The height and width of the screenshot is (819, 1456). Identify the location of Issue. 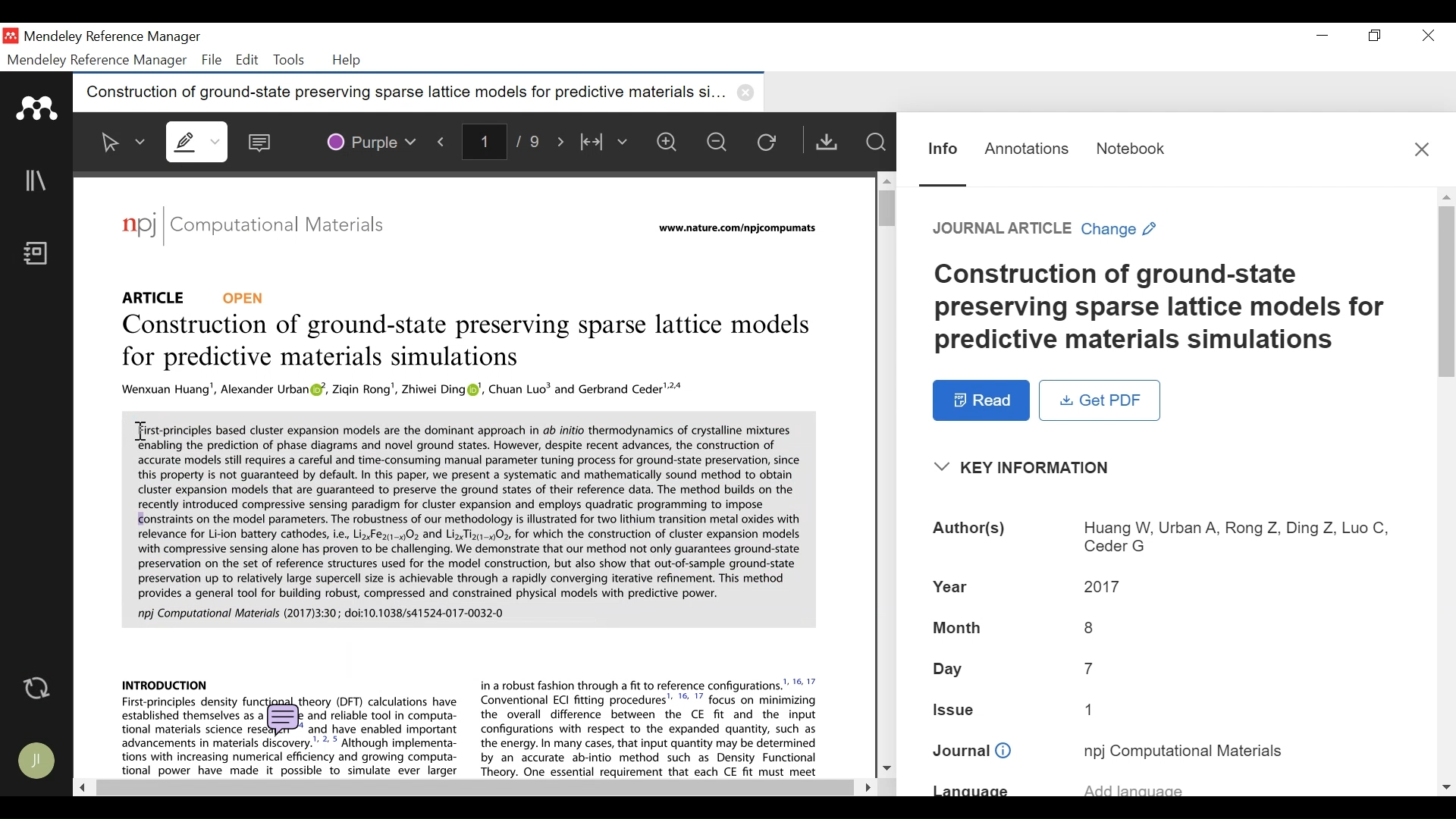
(955, 708).